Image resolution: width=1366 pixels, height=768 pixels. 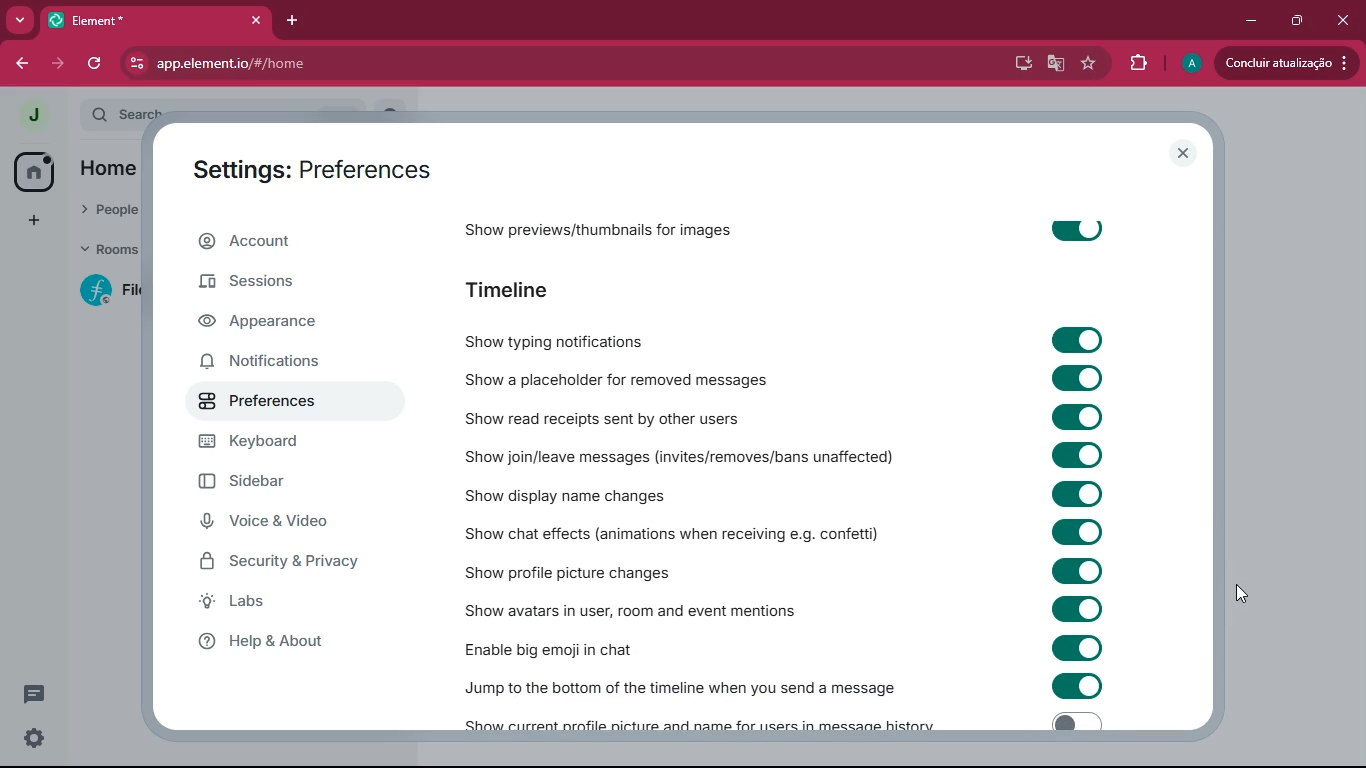 What do you see at coordinates (1076, 492) in the screenshot?
I see `toggle on ` at bounding box center [1076, 492].